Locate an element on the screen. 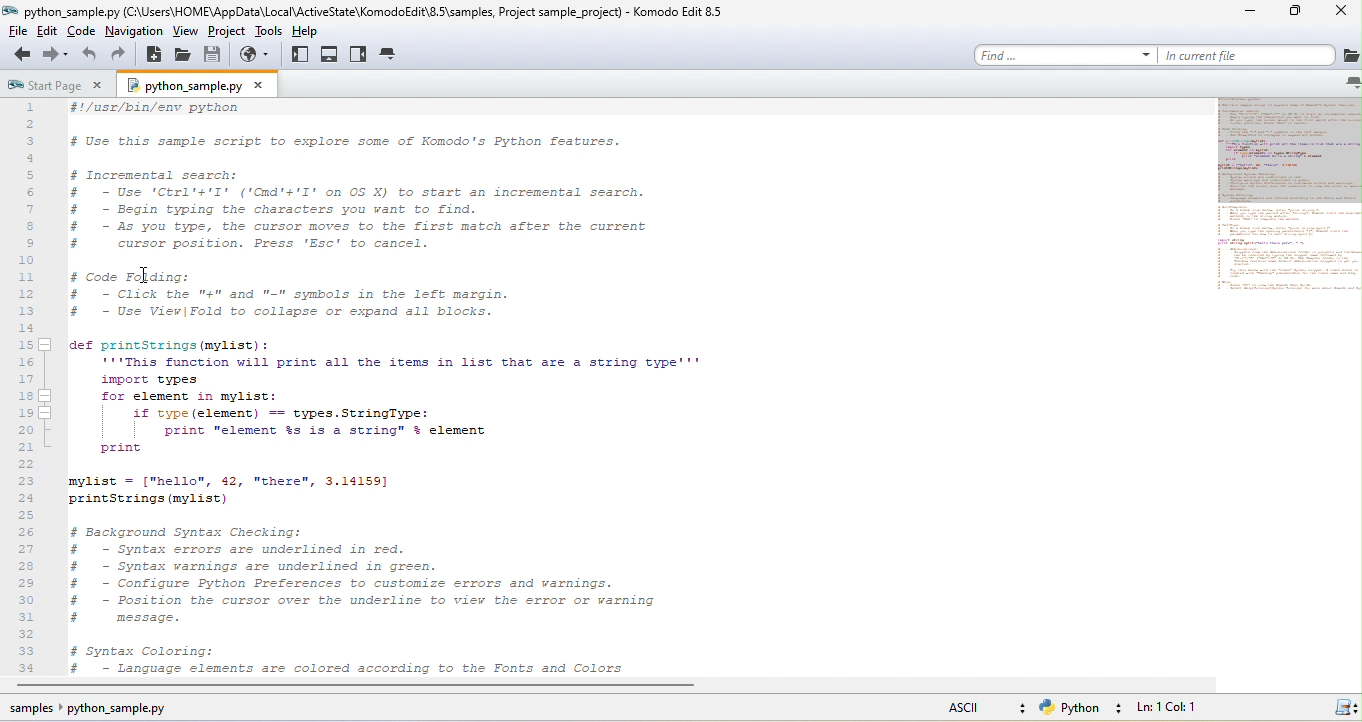 The height and width of the screenshot is (722, 1362). python is located at coordinates (1083, 709).